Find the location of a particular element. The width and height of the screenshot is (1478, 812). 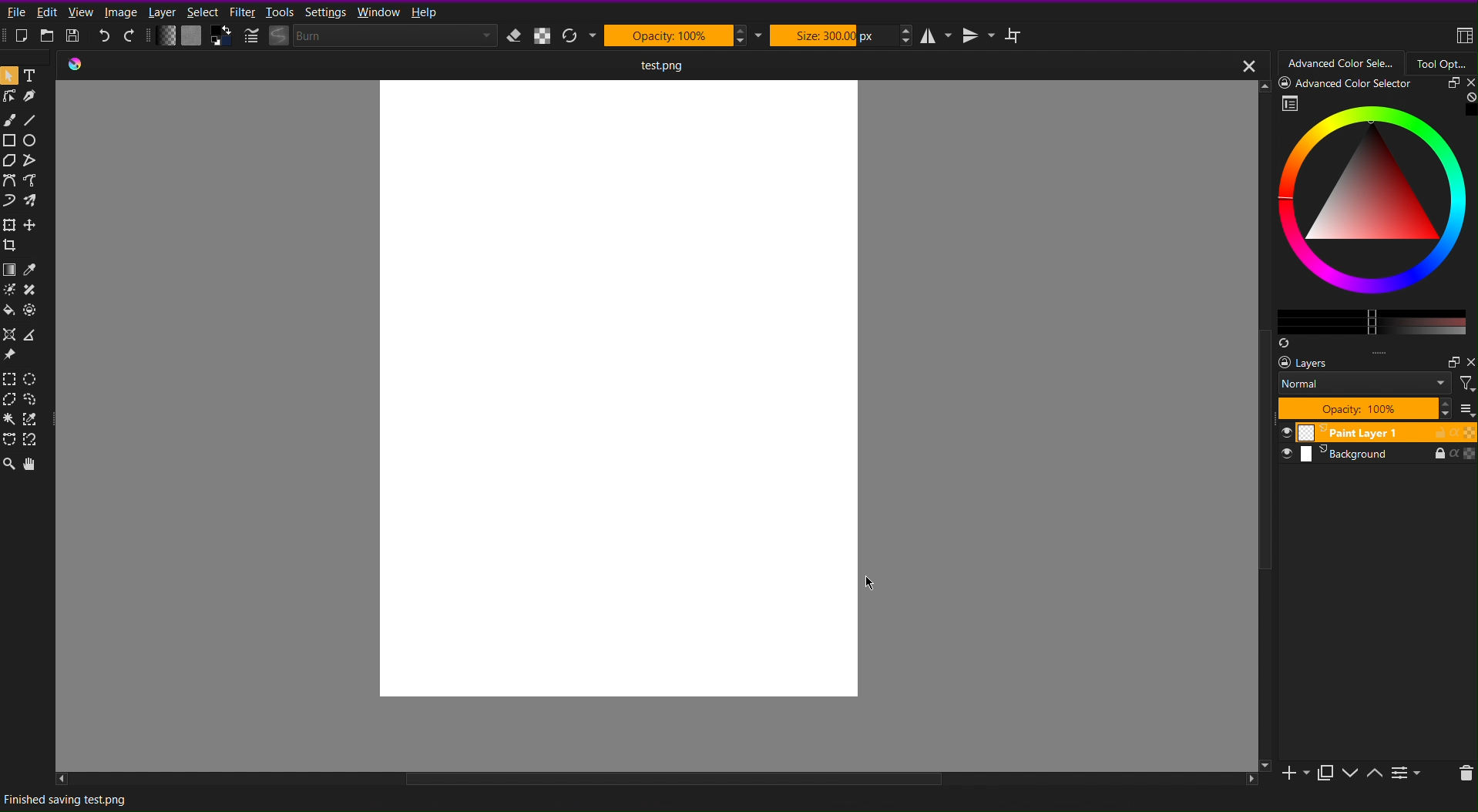

Pointer is located at coordinates (9, 76).